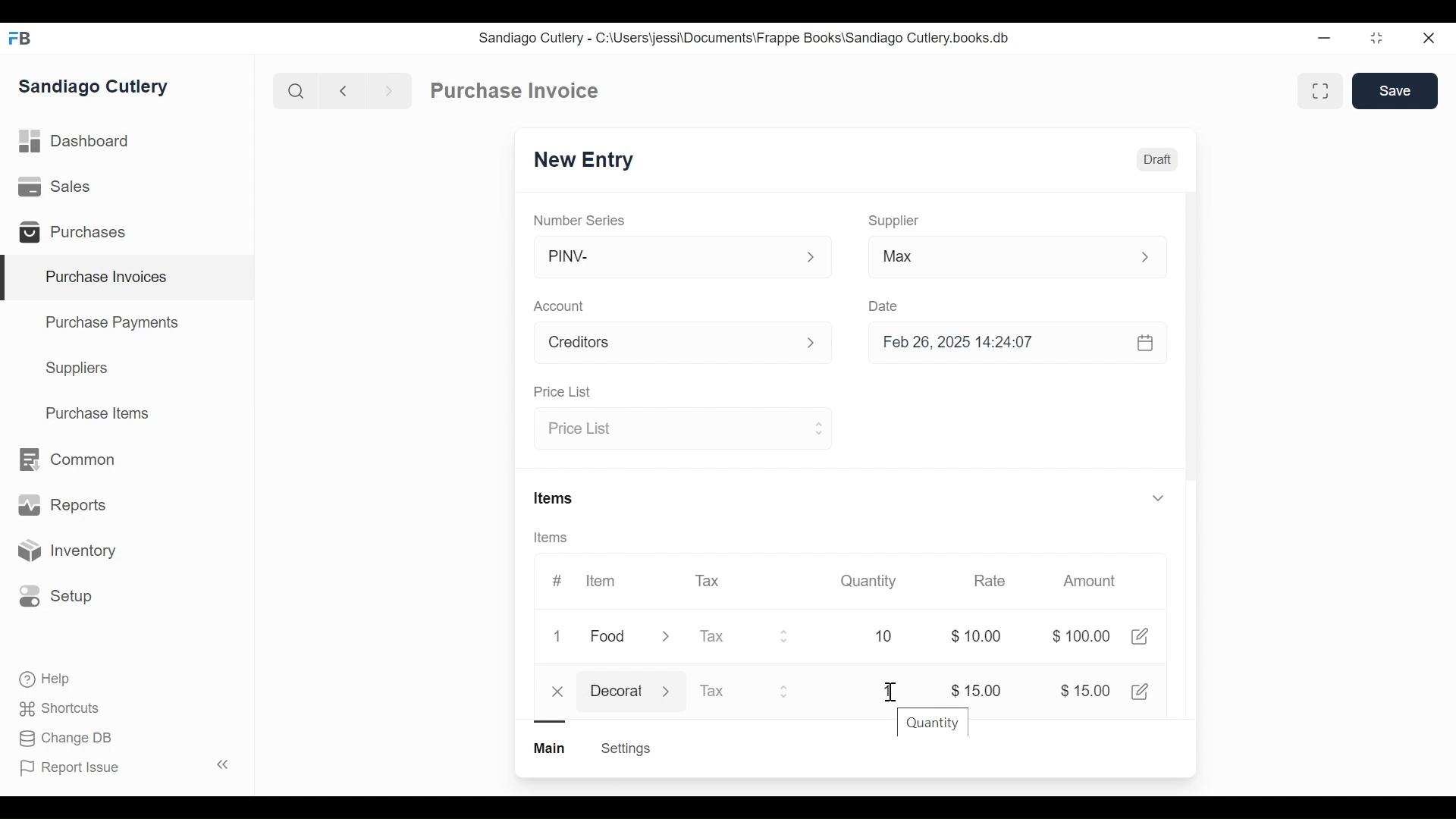 The width and height of the screenshot is (1456, 819). I want to click on Price List, so click(669, 429).